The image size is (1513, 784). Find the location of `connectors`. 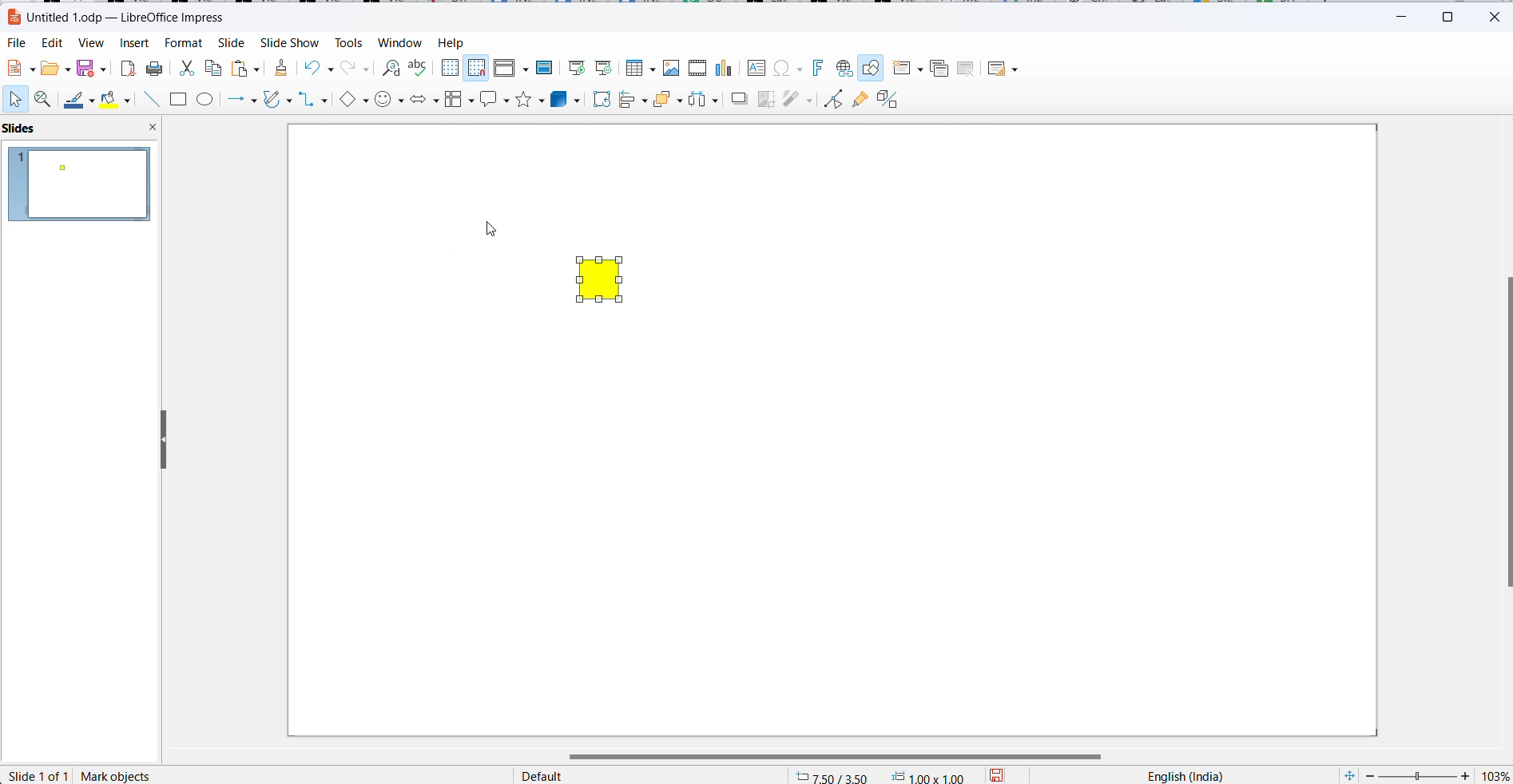

connectors is located at coordinates (313, 101).